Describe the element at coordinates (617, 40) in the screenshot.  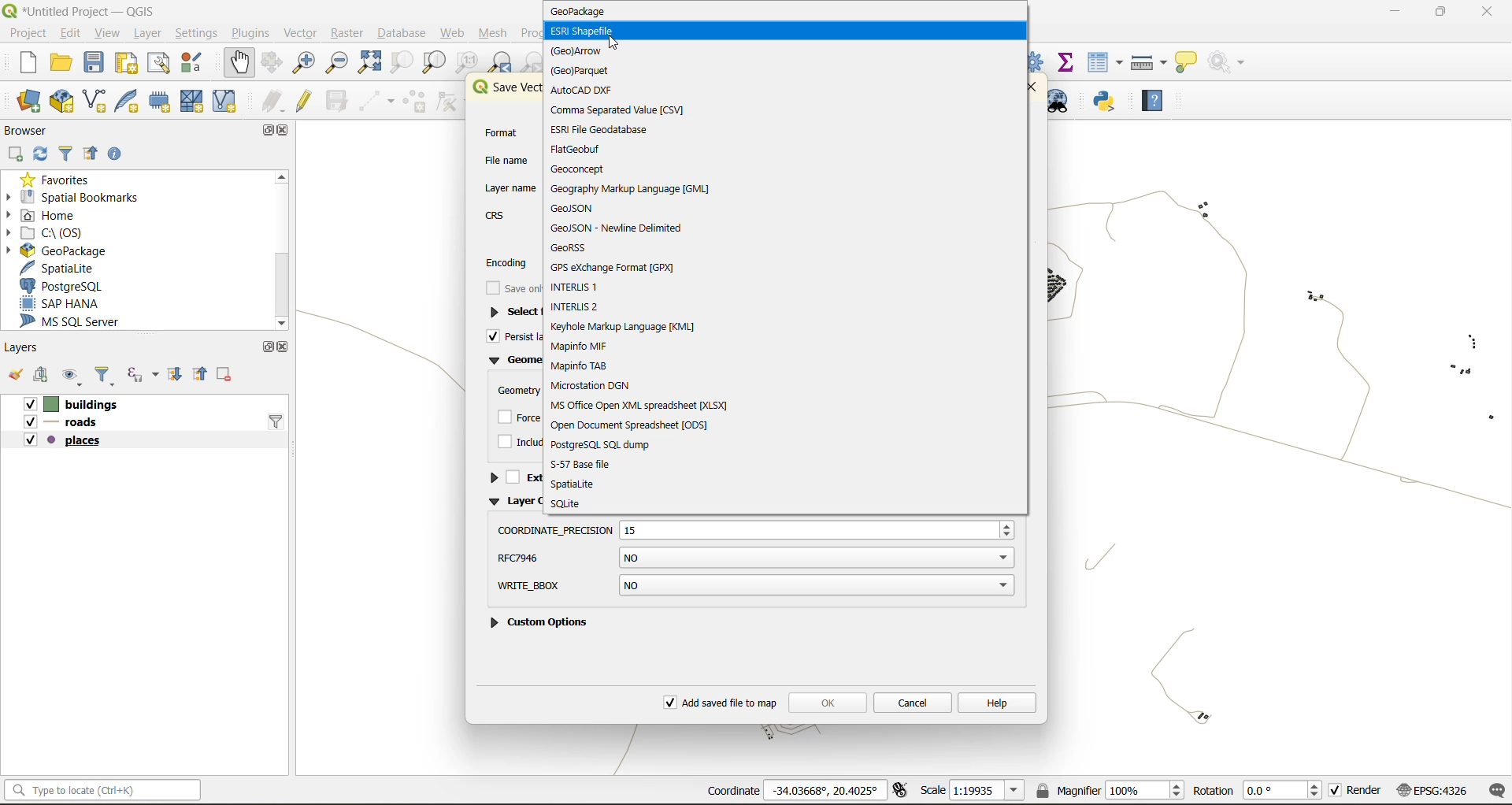
I see `cursor` at that location.